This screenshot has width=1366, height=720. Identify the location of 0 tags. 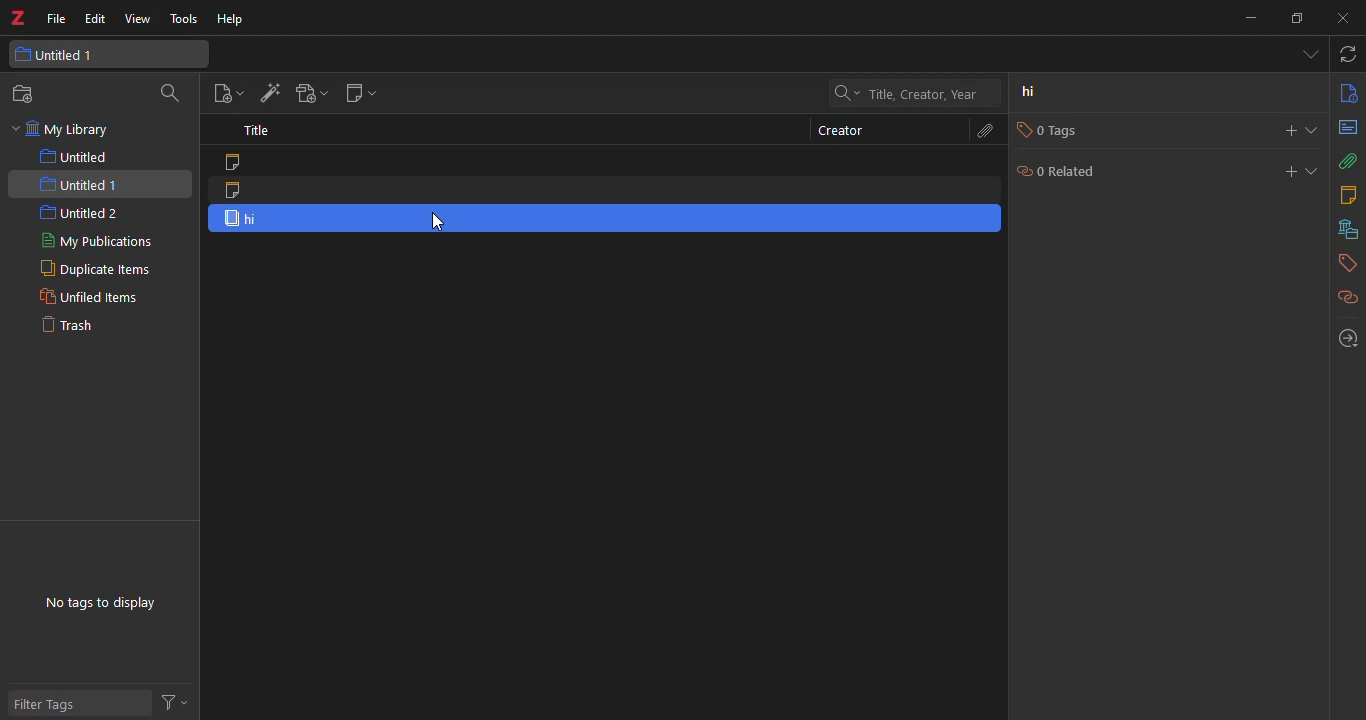
(1052, 131).